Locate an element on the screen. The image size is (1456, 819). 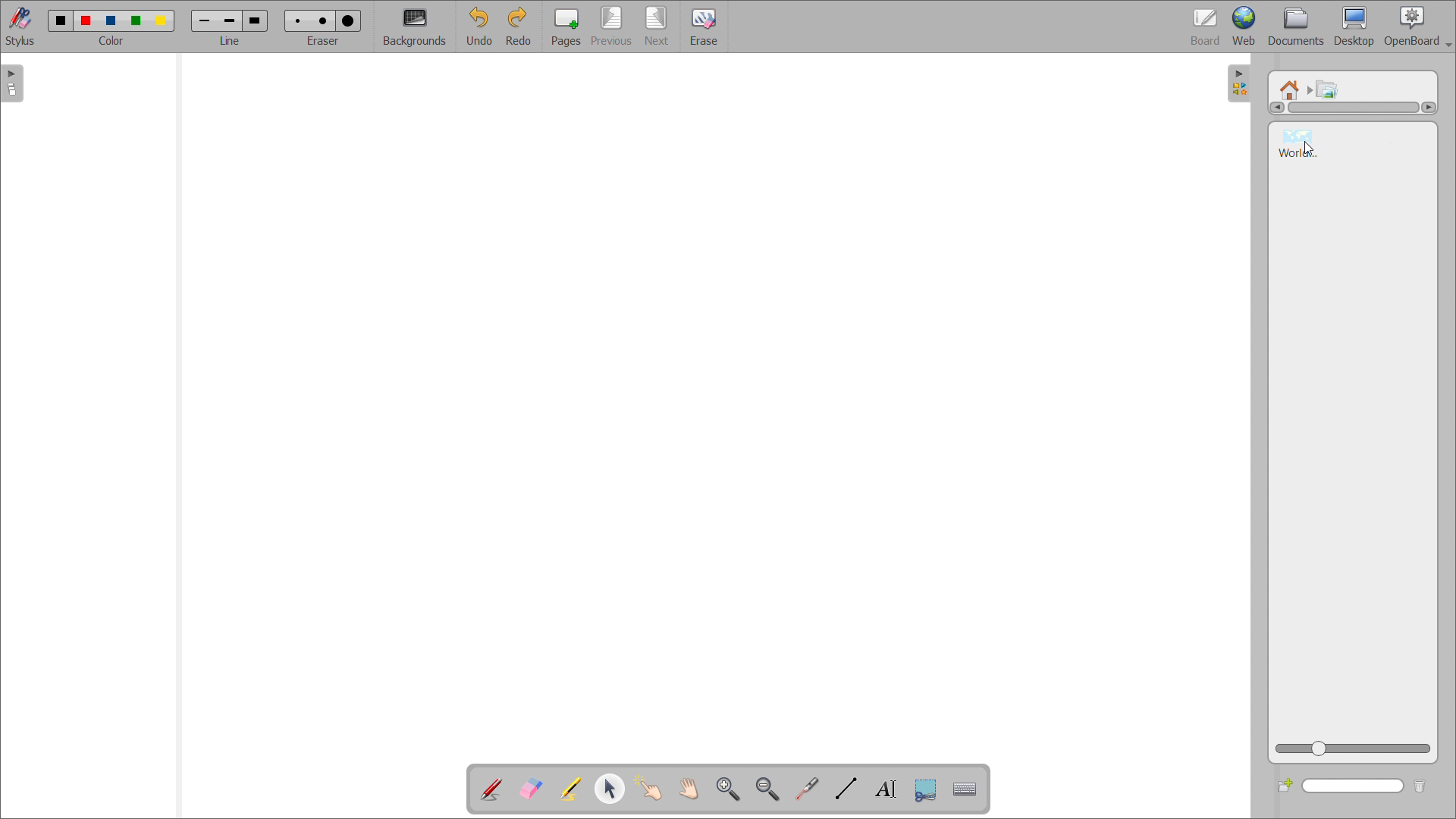
add annotation is located at coordinates (492, 789).